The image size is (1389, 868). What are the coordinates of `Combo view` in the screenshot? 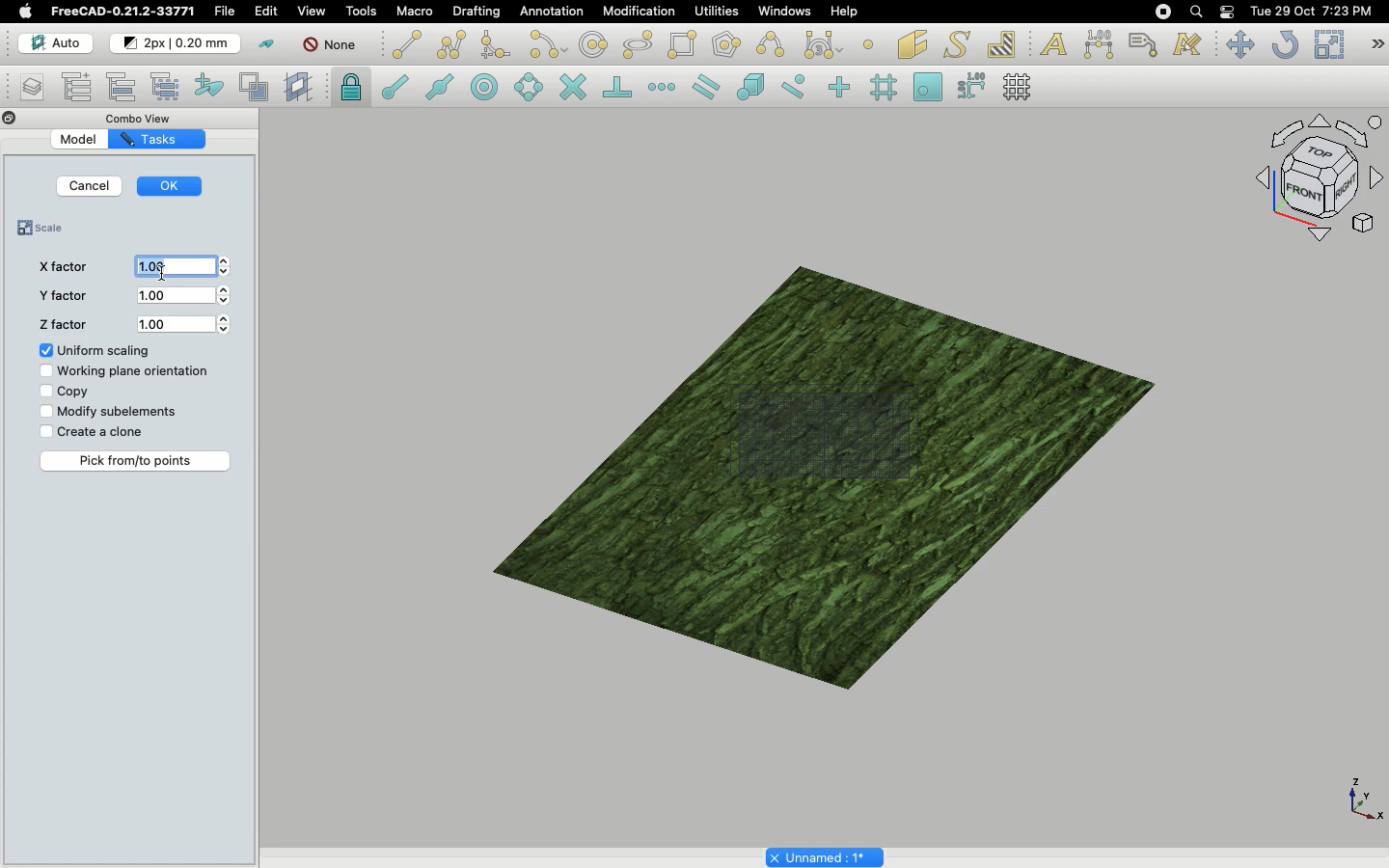 It's located at (143, 116).